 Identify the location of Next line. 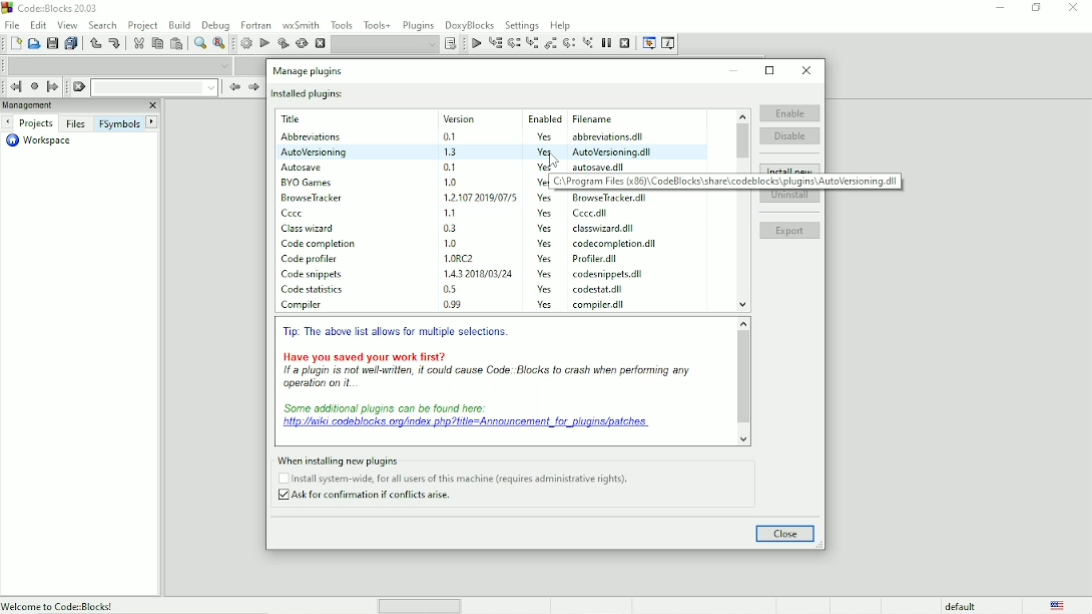
(515, 44).